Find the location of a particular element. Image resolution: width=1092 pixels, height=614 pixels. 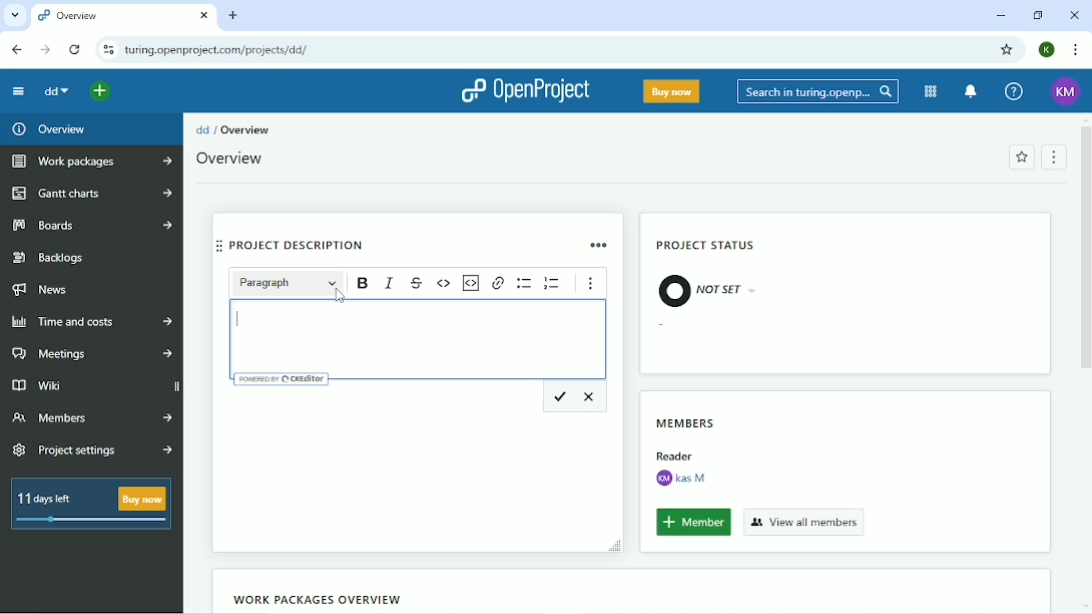

Back is located at coordinates (18, 50).